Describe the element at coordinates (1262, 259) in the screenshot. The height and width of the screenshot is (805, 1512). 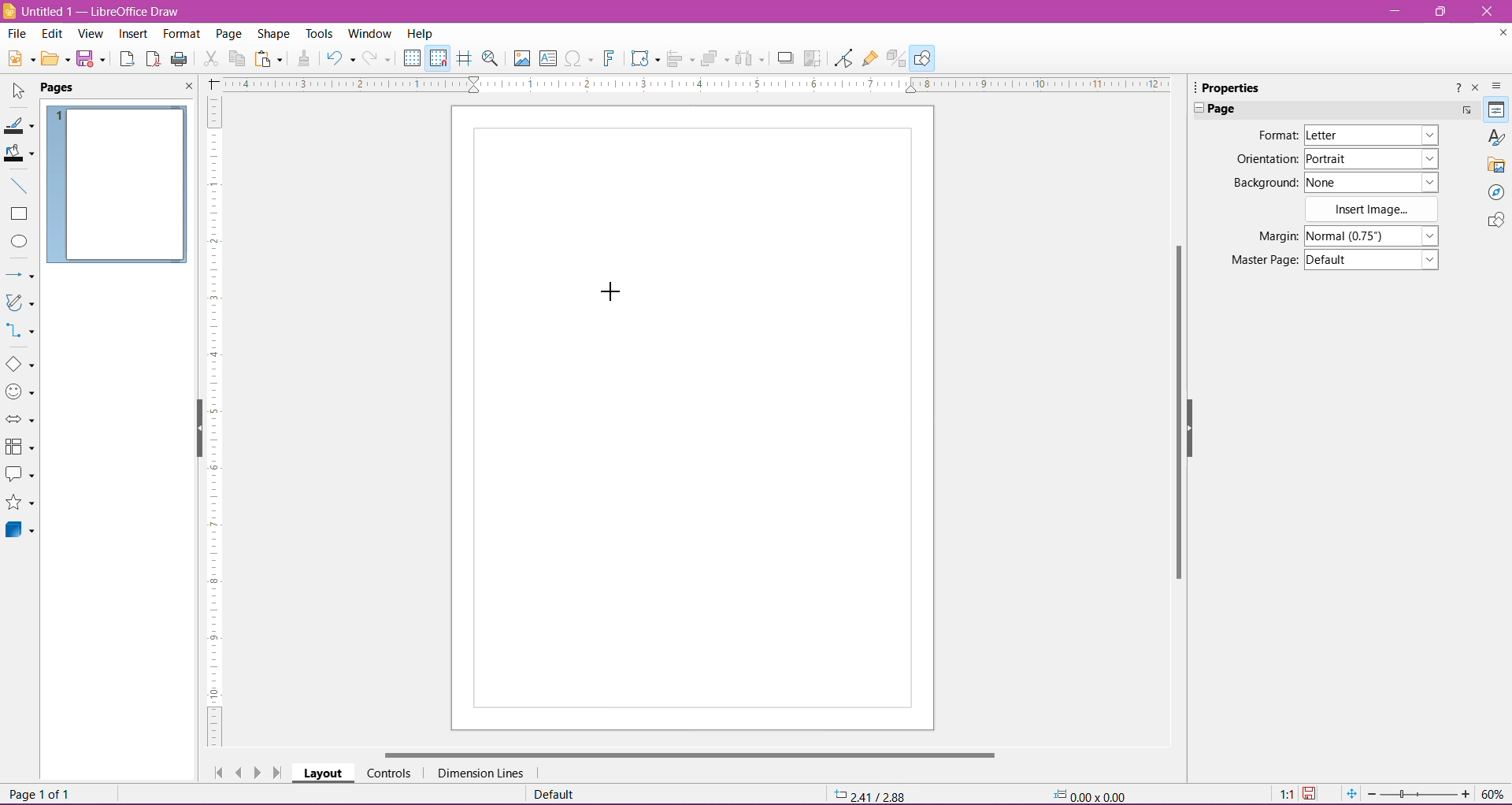
I see `Master Page` at that location.